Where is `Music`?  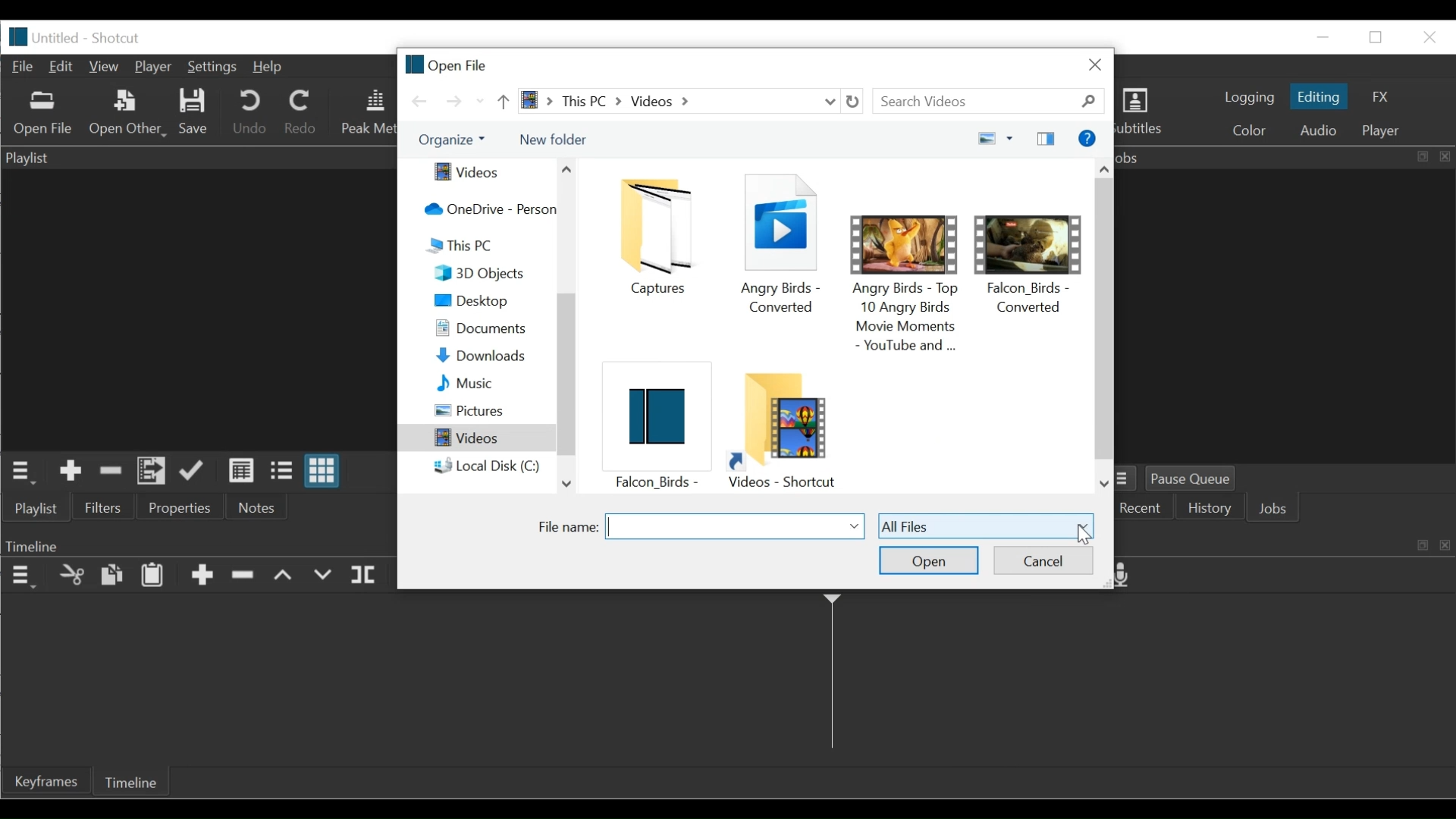 Music is located at coordinates (491, 384).